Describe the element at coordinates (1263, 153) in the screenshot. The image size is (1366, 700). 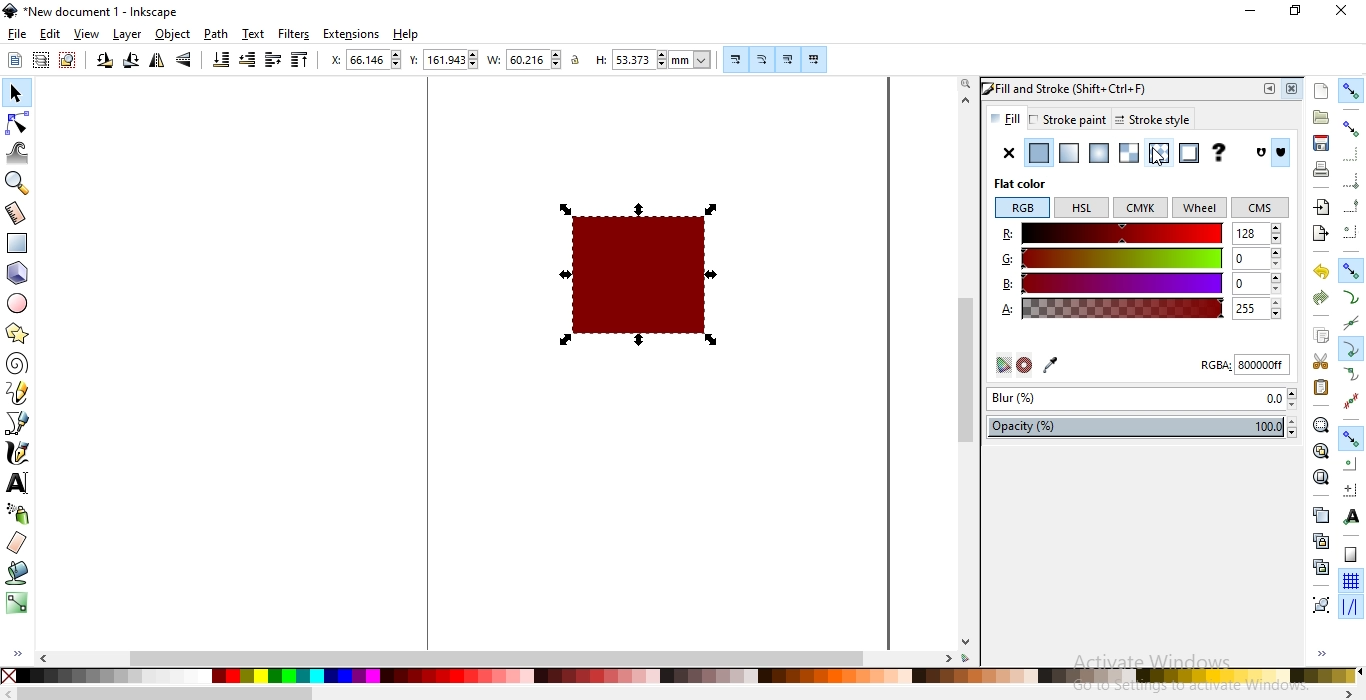
I see `icon` at that location.